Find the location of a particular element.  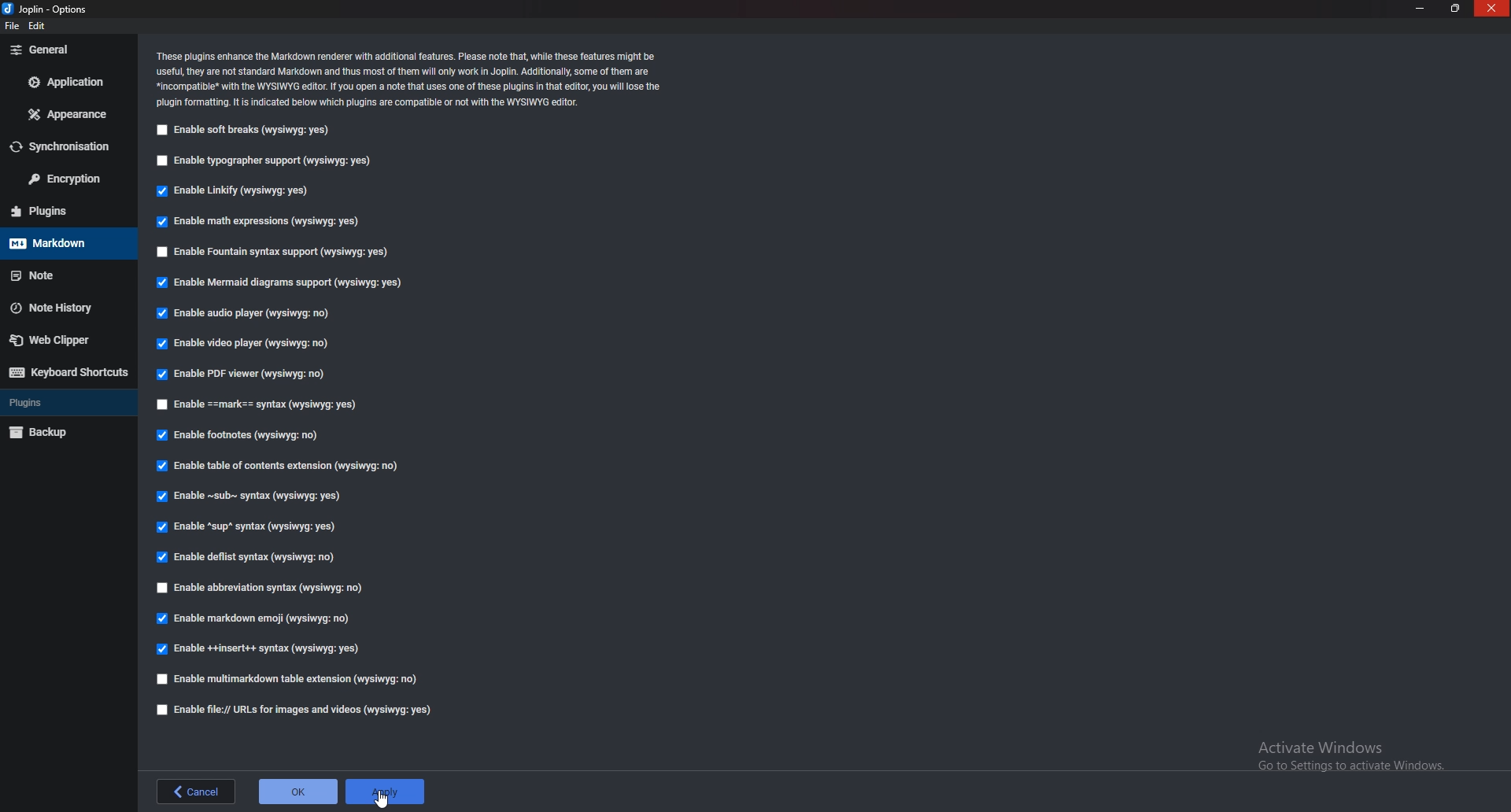

Enable sup syntax is located at coordinates (249, 526).